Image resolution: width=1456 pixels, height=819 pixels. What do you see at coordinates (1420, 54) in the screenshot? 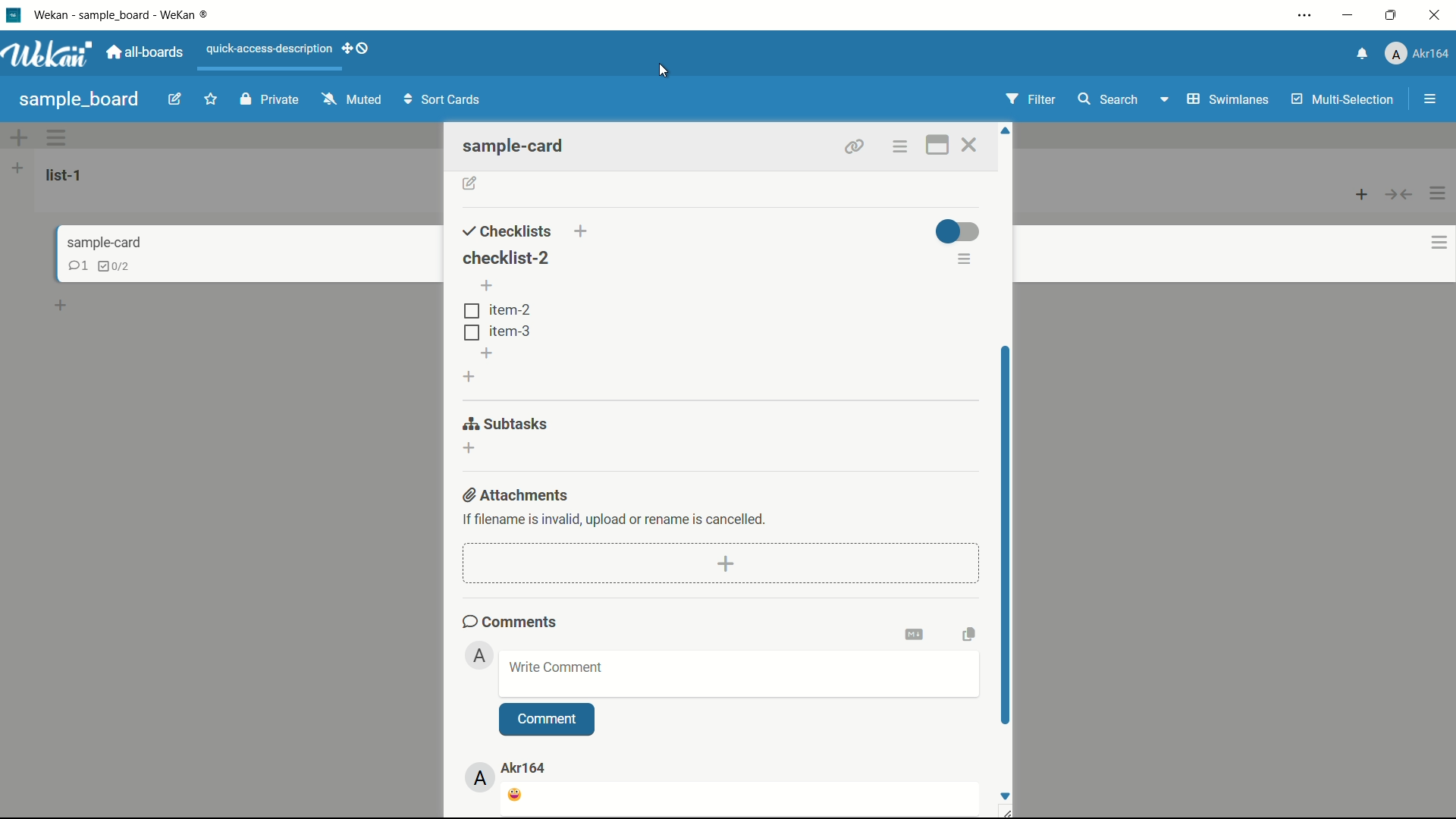
I see `profile` at bounding box center [1420, 54].